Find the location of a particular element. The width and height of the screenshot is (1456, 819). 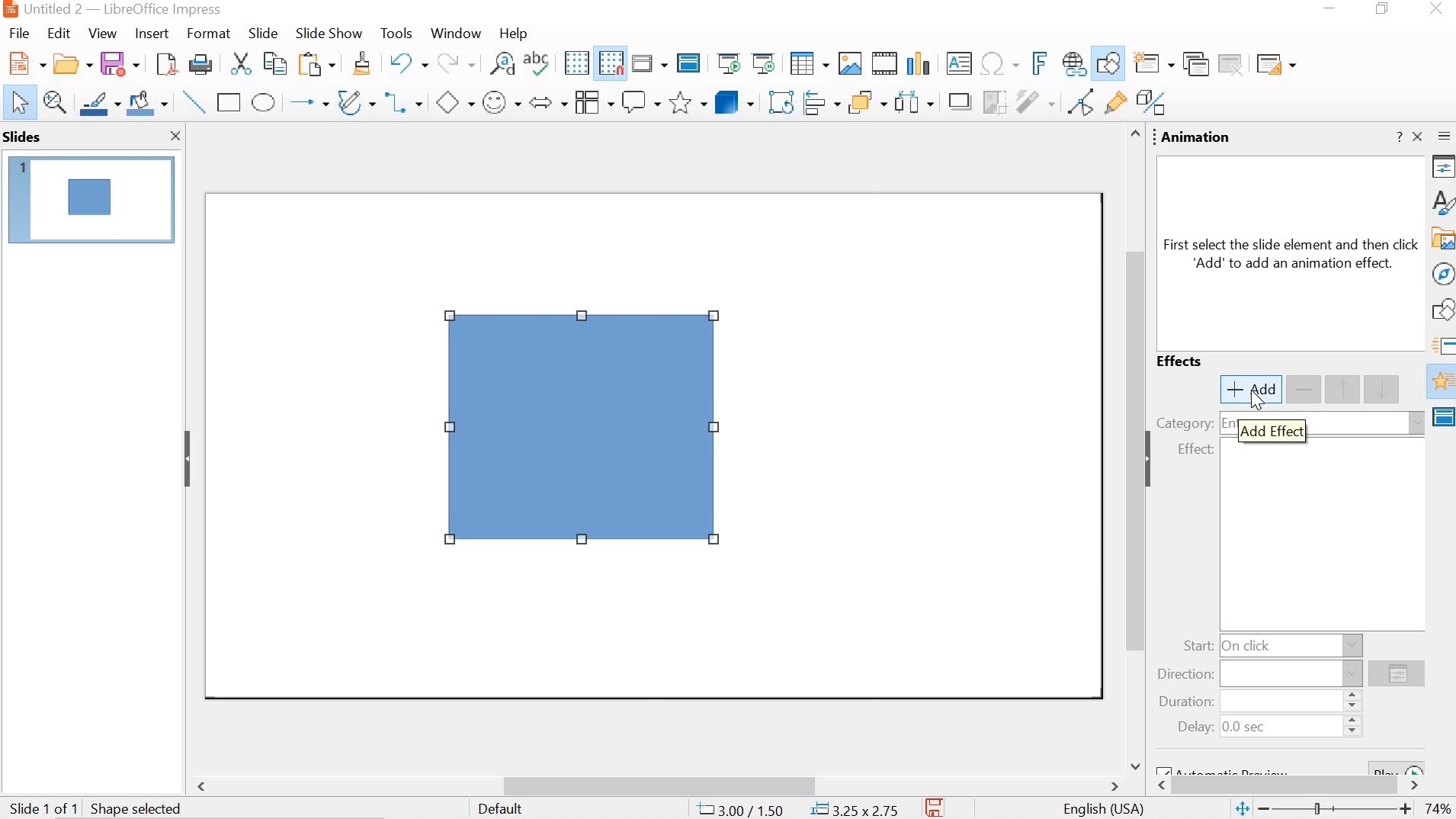

find and replace is located at coordinates (501, 63).